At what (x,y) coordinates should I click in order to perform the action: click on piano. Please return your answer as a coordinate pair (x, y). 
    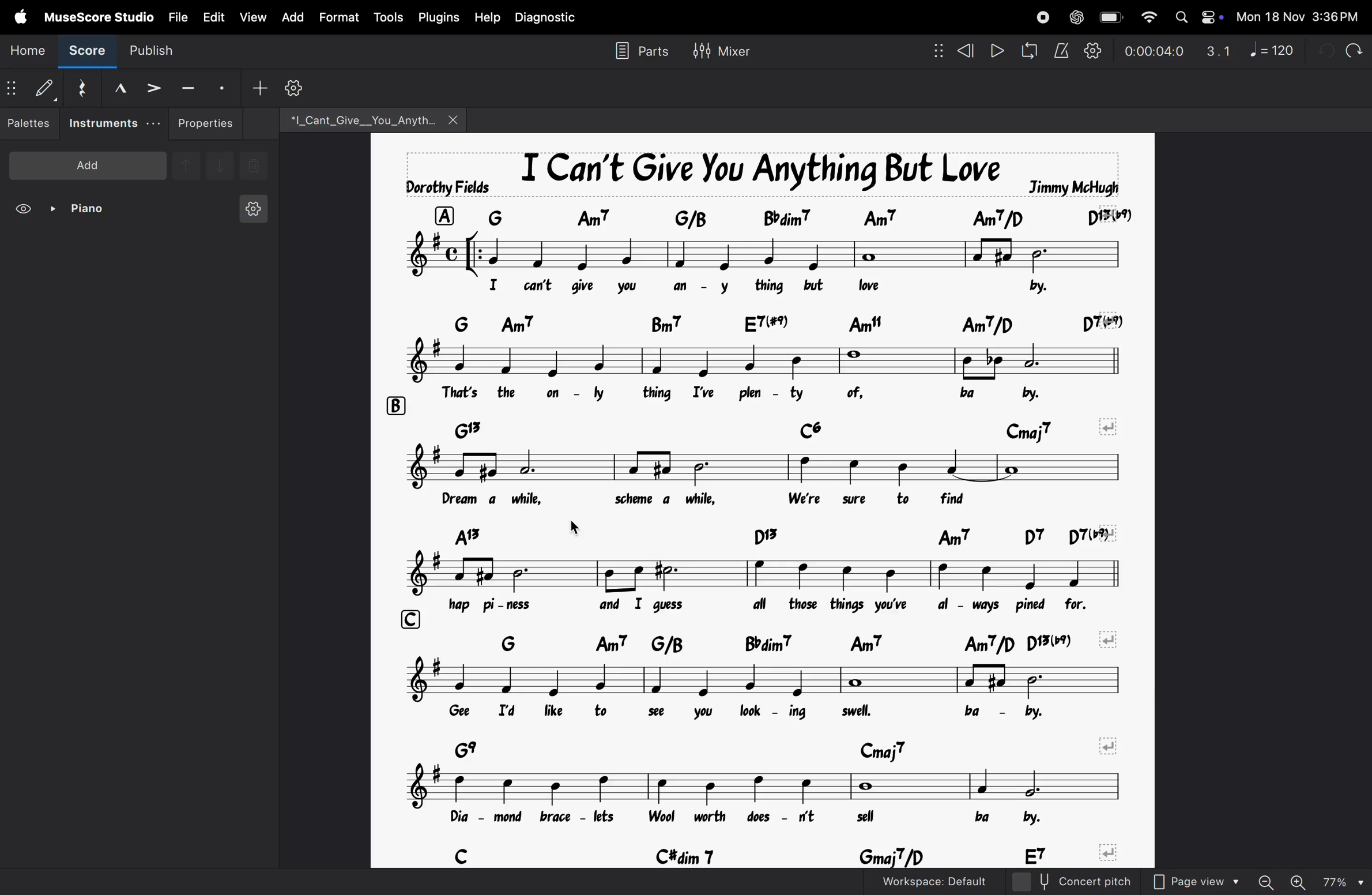
    Looking at the image, I should click on (59, 210).